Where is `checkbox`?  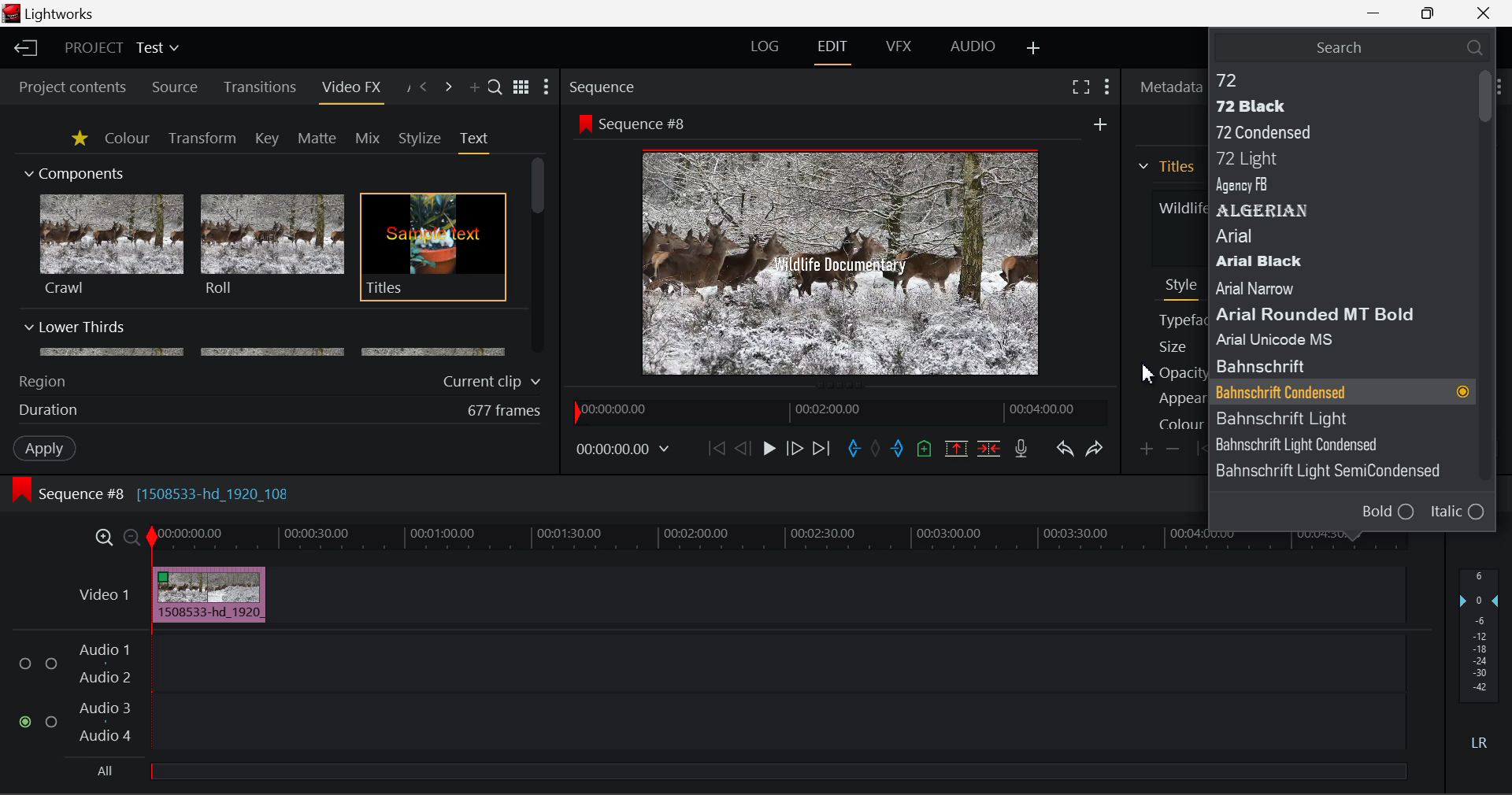 checkbox is located at coordinates (52, 665).